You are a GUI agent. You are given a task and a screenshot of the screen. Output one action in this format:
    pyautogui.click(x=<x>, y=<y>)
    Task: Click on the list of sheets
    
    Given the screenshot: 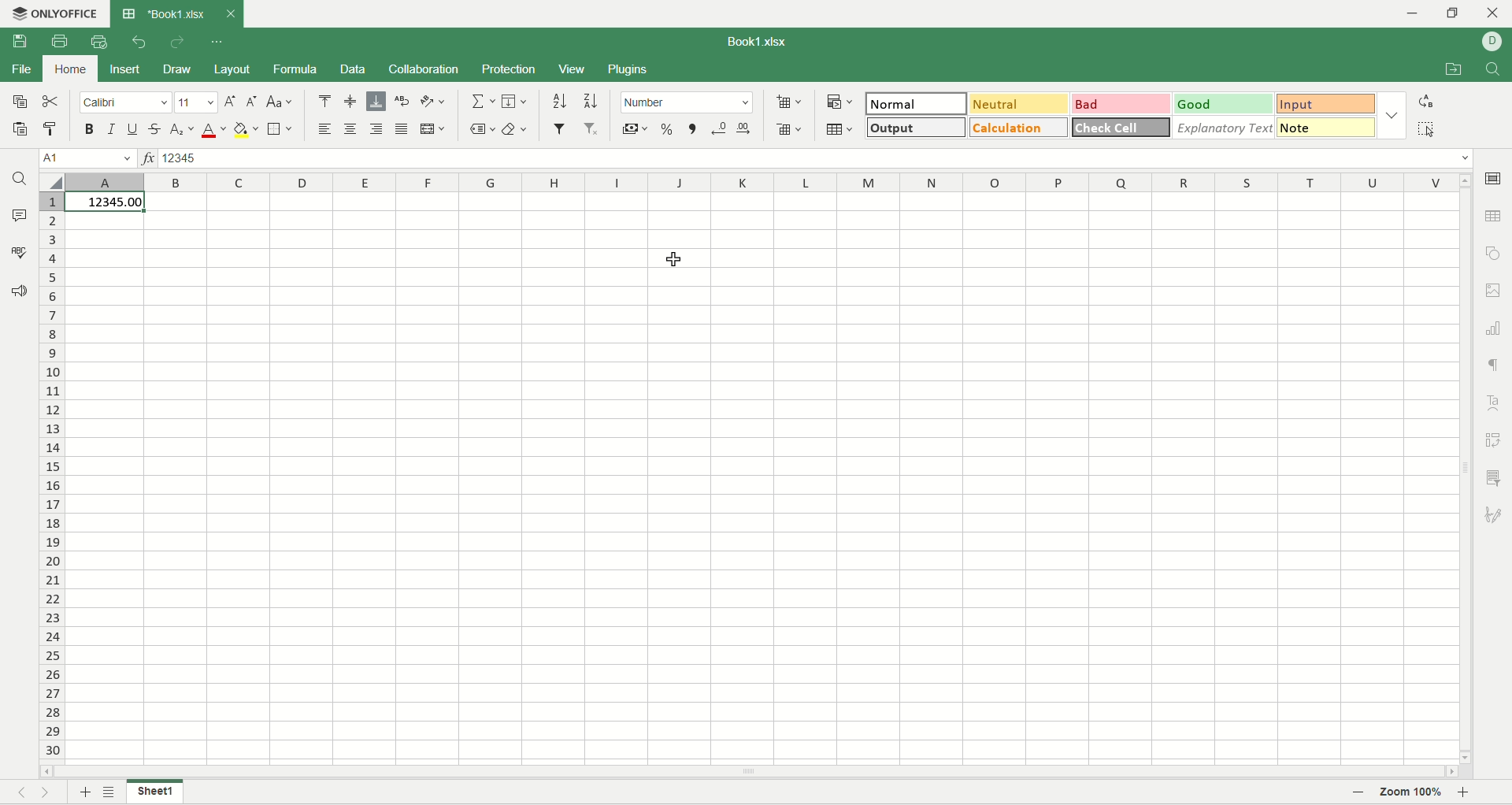 What is the action you would take?
    pyautogui.click(x=112, y=792)
    